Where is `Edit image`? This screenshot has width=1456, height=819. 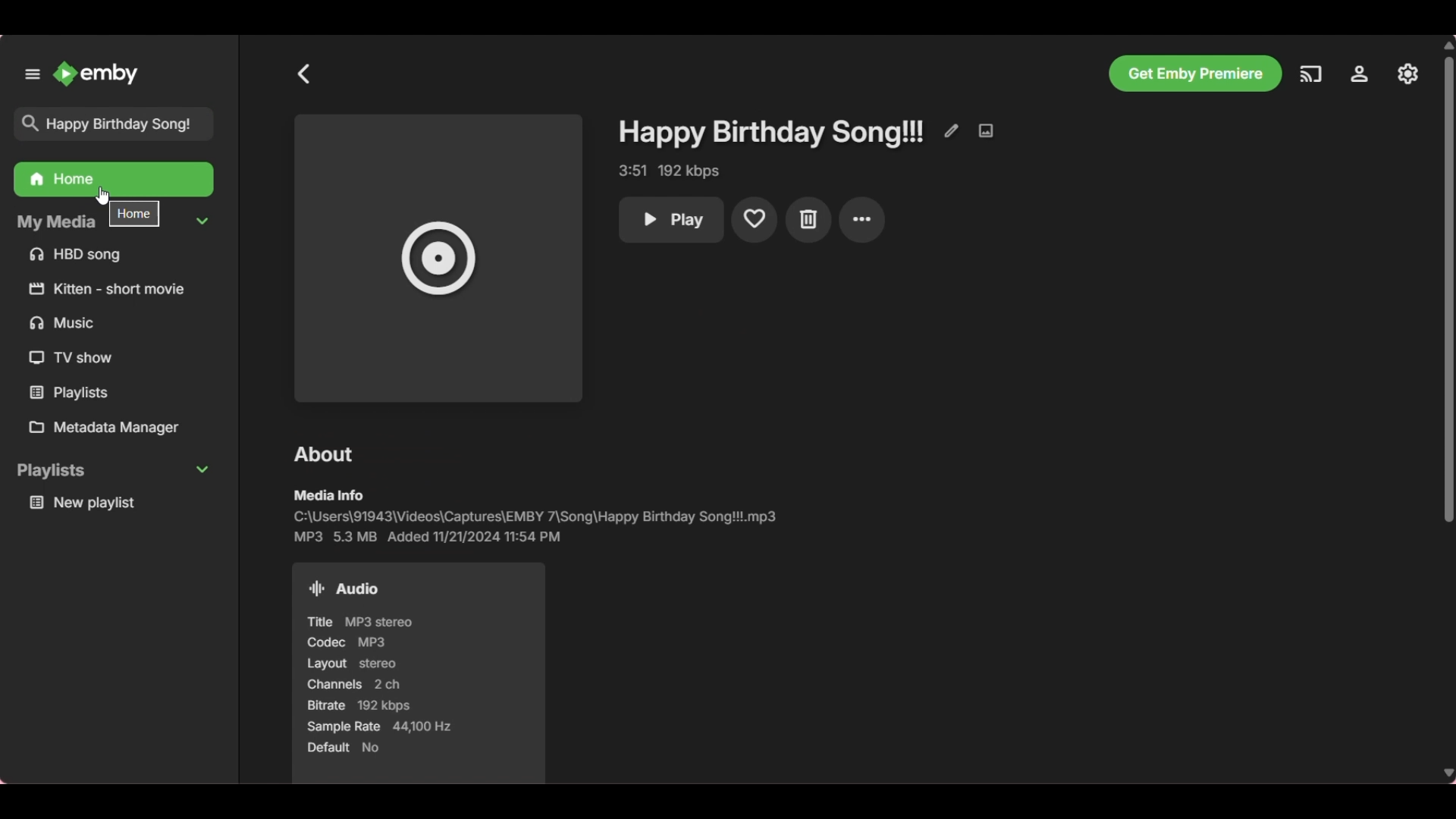 Edit image is located at coordinates (986, 130).